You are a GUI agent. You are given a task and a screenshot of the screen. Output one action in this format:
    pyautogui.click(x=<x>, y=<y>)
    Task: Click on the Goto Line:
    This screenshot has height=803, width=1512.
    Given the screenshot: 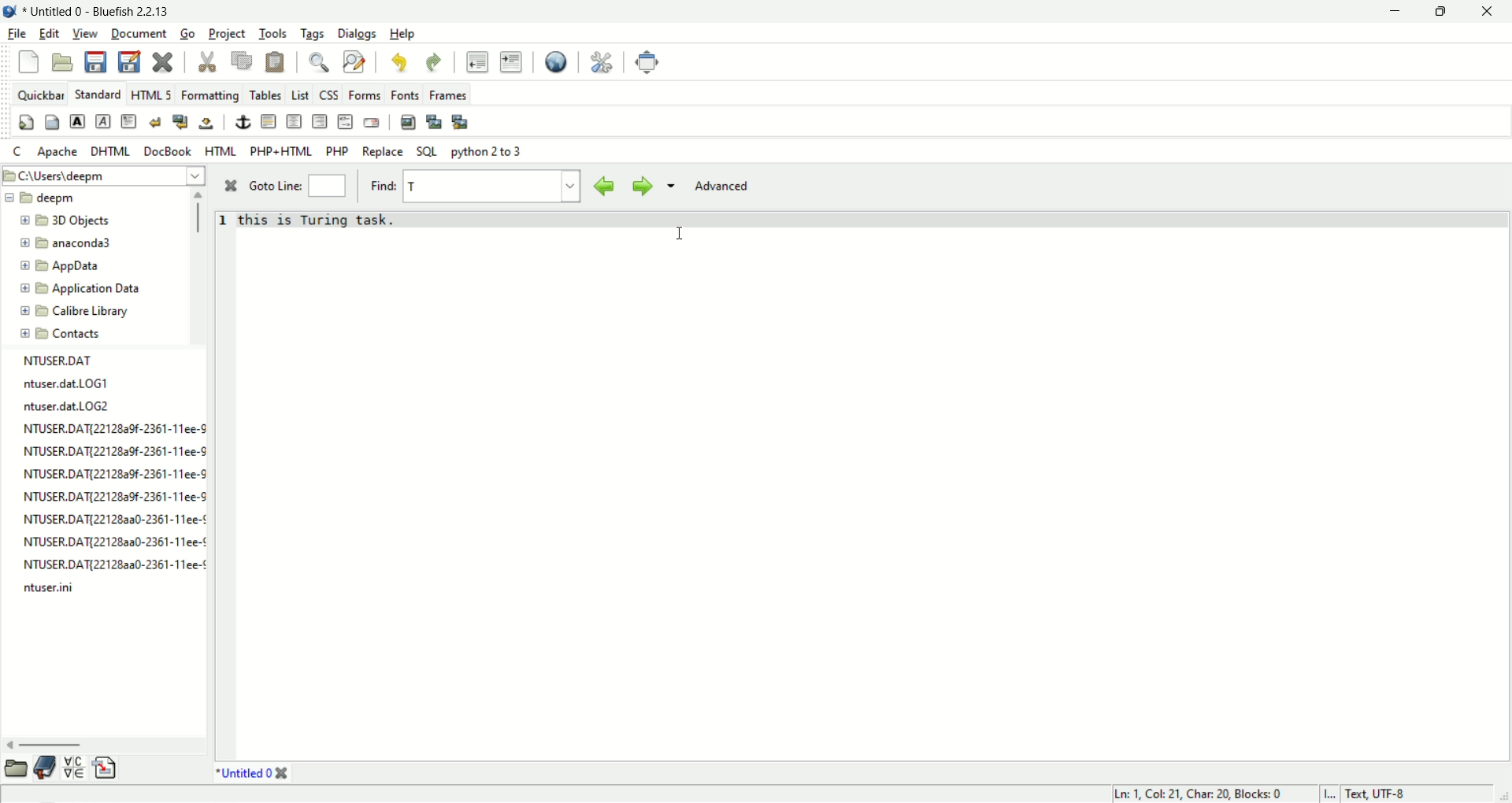 What is the action you would take?
    pyautogui.click(x=277, y=187)
    